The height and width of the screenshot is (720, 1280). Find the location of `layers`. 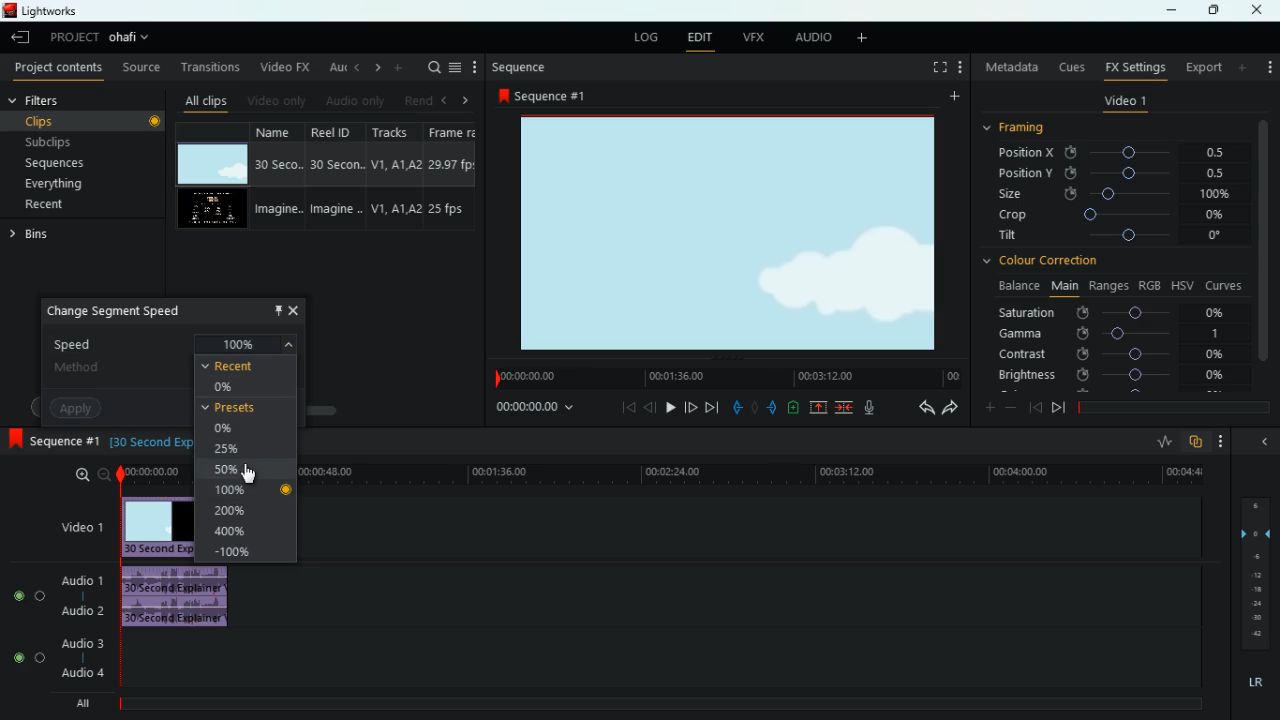

layers is located at coordinates (1253, 570).